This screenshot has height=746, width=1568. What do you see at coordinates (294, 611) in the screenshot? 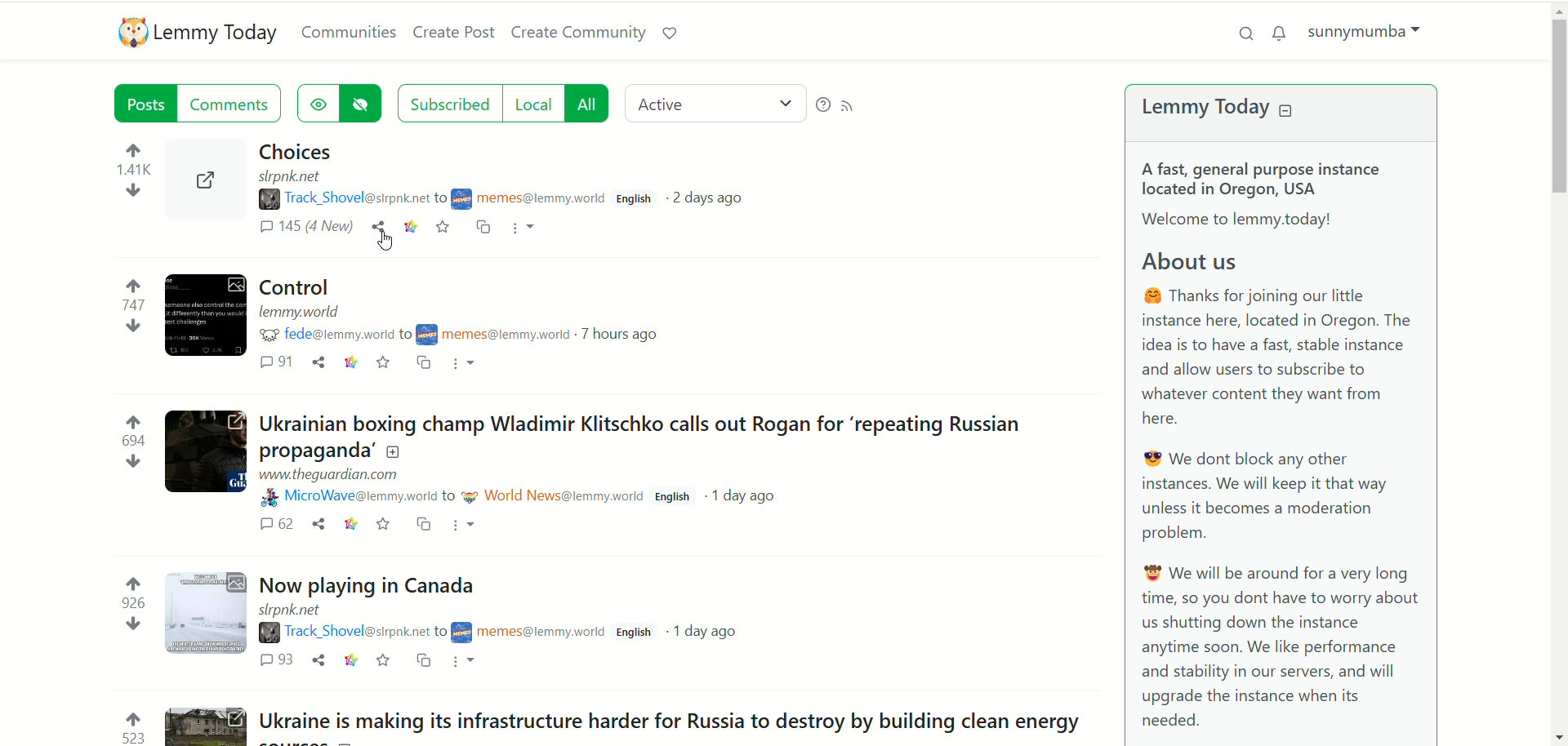
I see `URL` at bounding box center [294, 611].